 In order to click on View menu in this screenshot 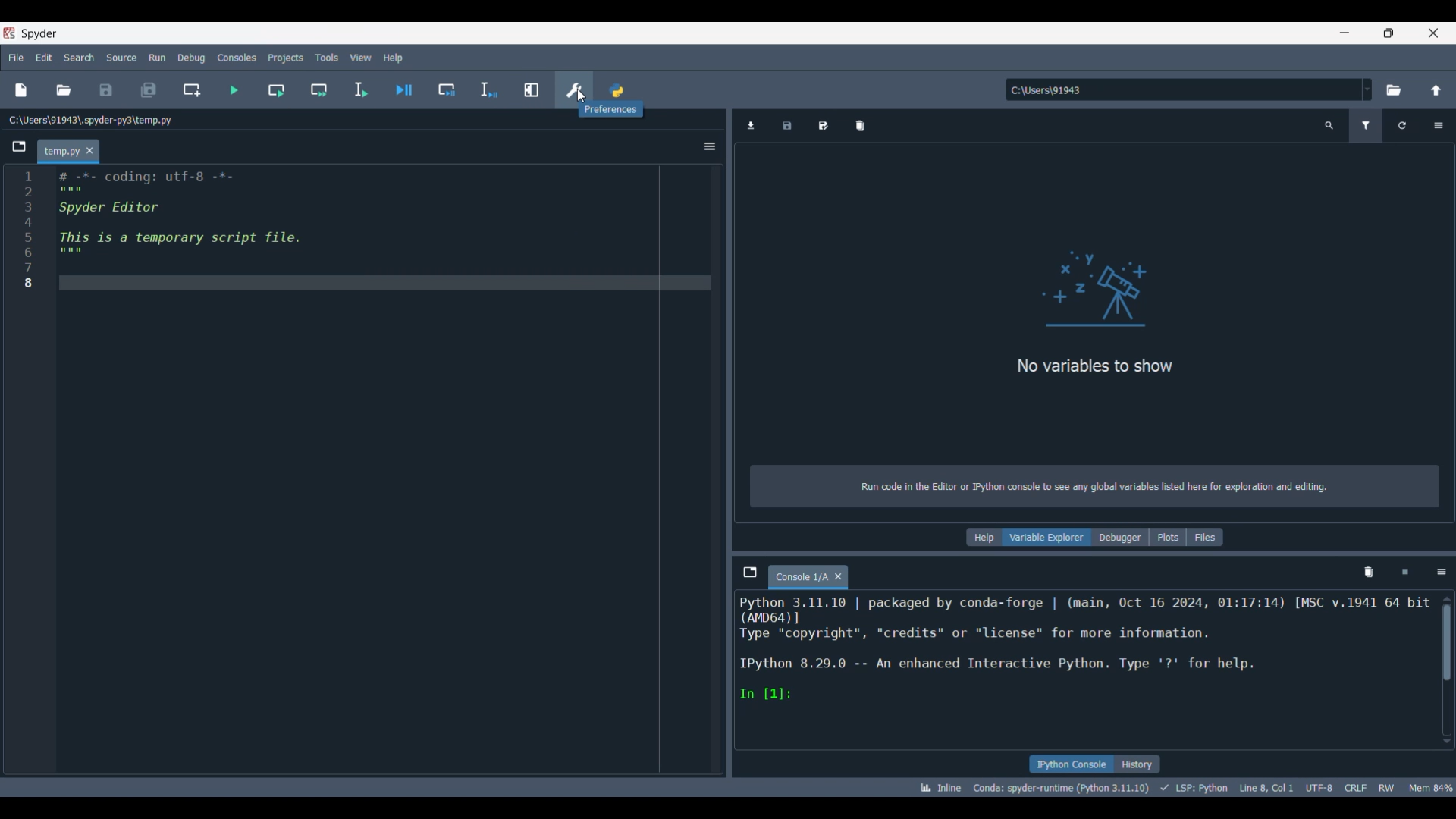, I will do `click(361, 58)`.